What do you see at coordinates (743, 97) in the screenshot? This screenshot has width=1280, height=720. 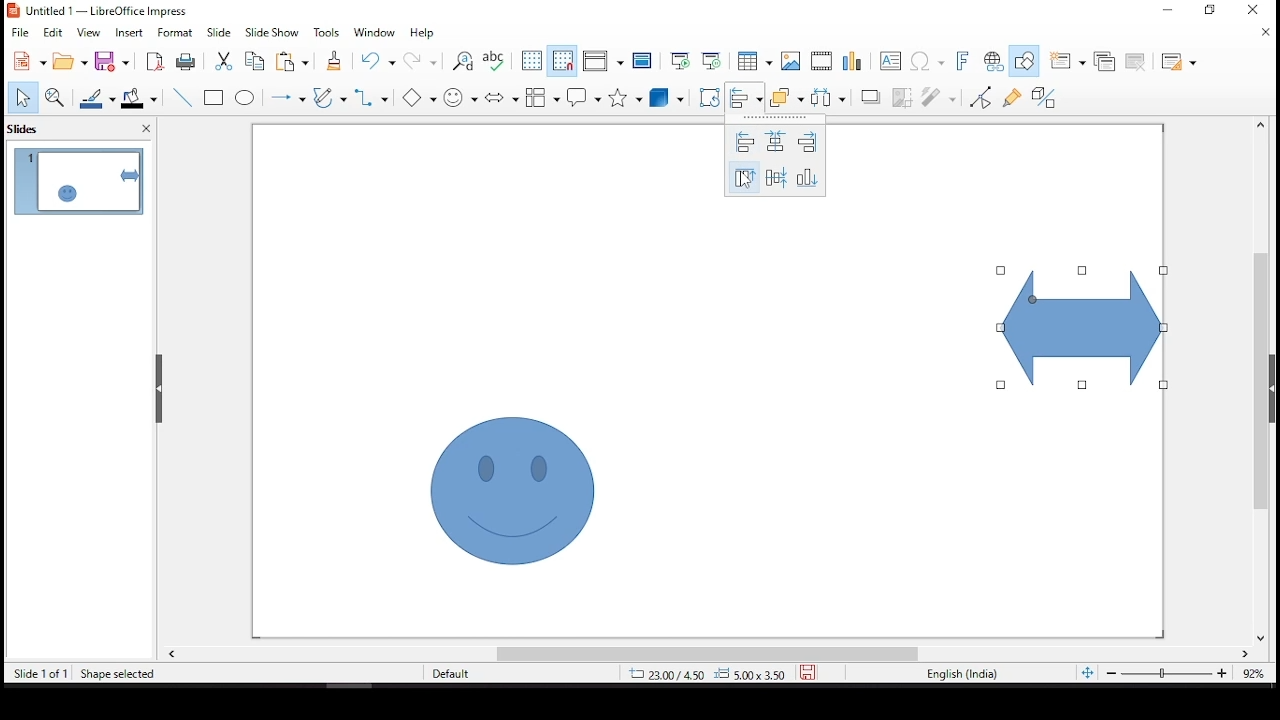 I see `align objects` at bounding box center [743, 97].